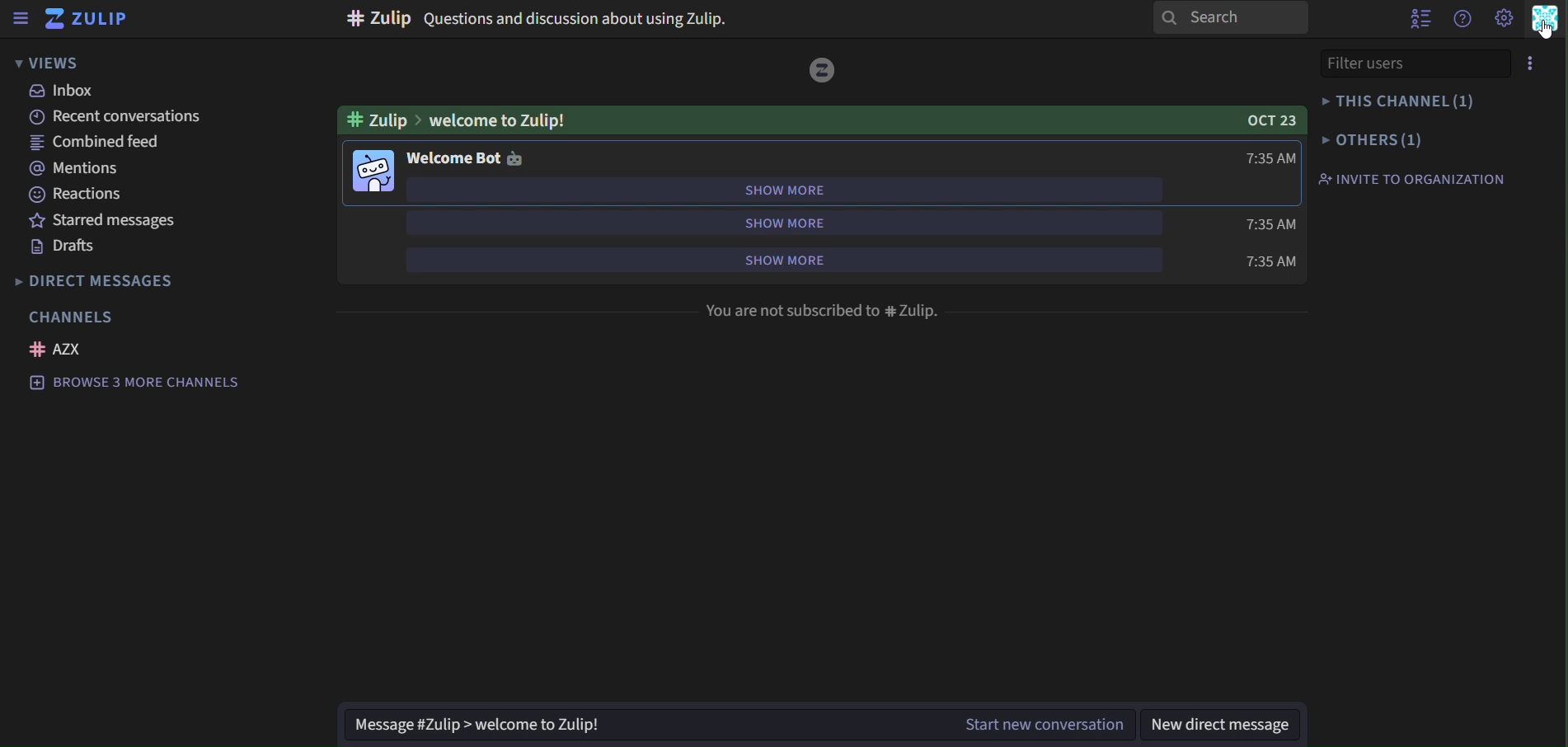 Image resolution: width=1568 pixels, height=747 pixels. I want to click on this channel, so click(1400, 103).